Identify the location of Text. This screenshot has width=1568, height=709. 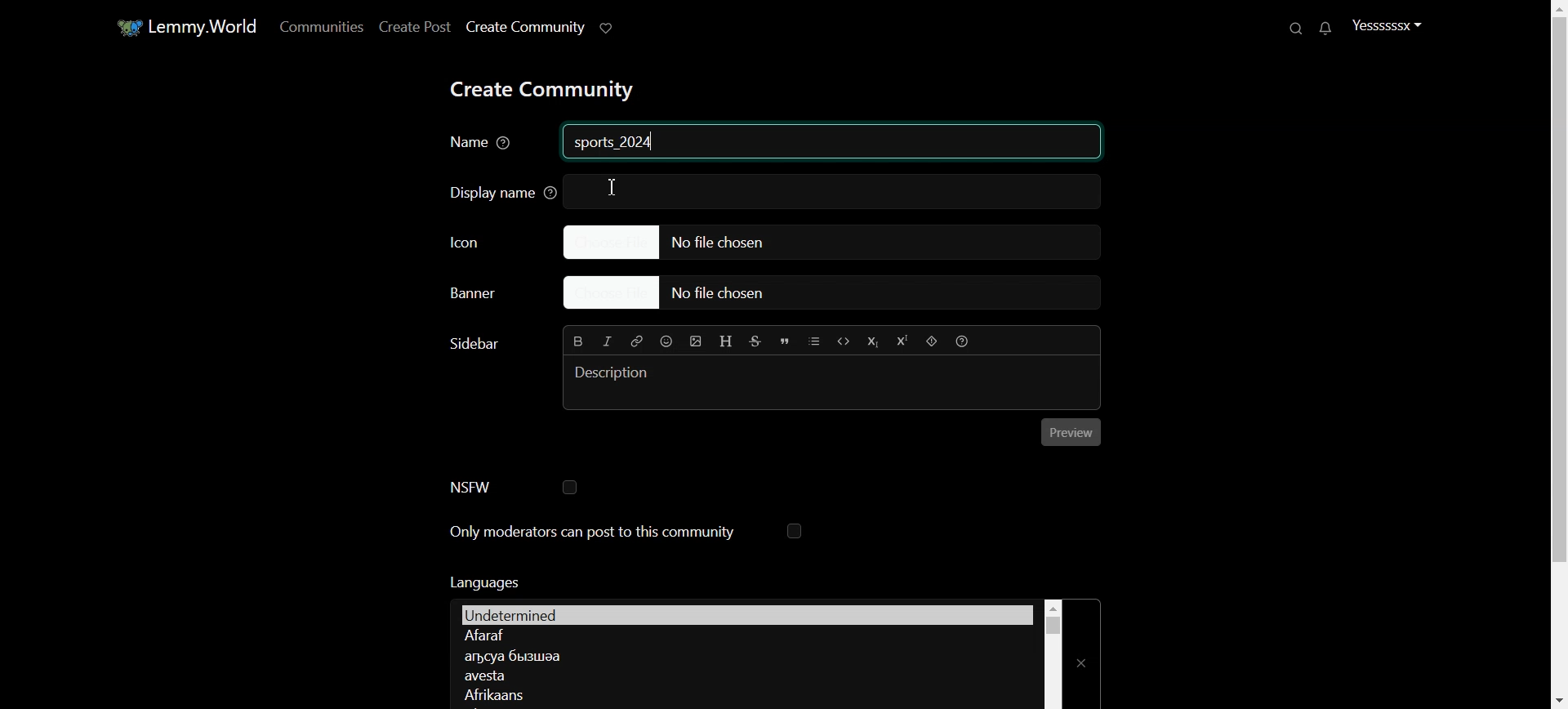
(472, 344).